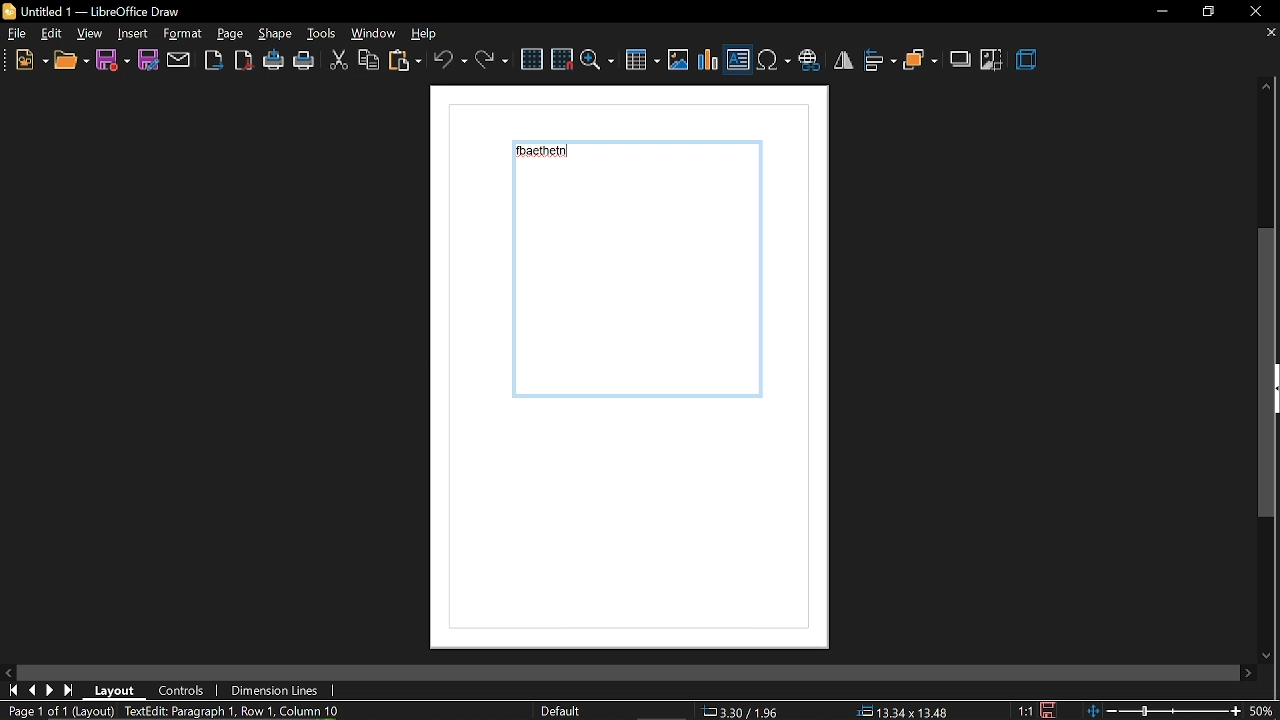 The height and width of the screenshot is (720, 1280). What do you see at coordinates (8, 671) in the screenshot?
I see `MOve left` at bounding box center [8, 671].